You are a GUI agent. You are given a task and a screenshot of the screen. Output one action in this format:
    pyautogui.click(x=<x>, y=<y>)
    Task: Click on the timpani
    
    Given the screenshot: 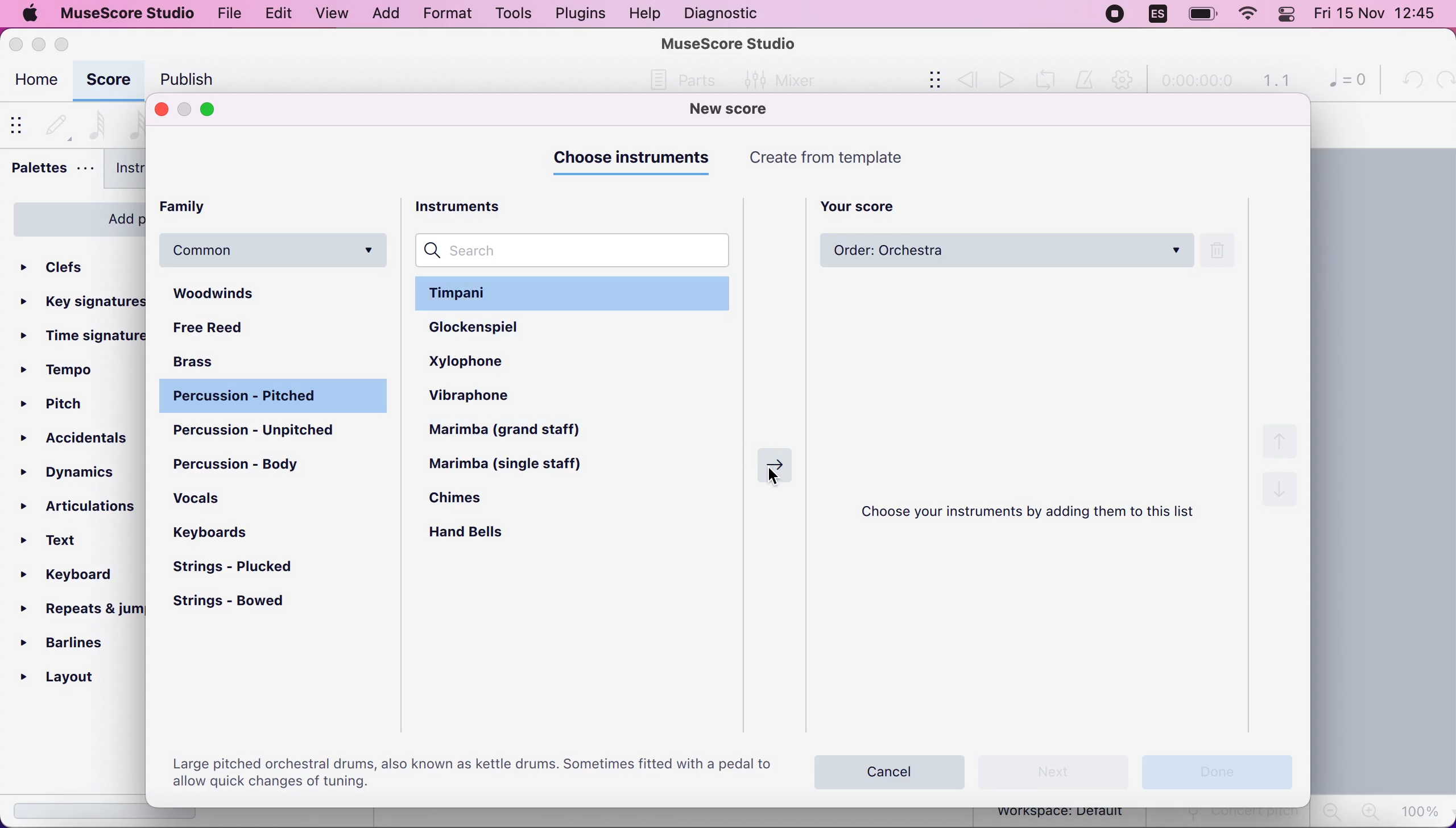 What is the action you would take?
    pyautogui.click(x=576, y=292)
    